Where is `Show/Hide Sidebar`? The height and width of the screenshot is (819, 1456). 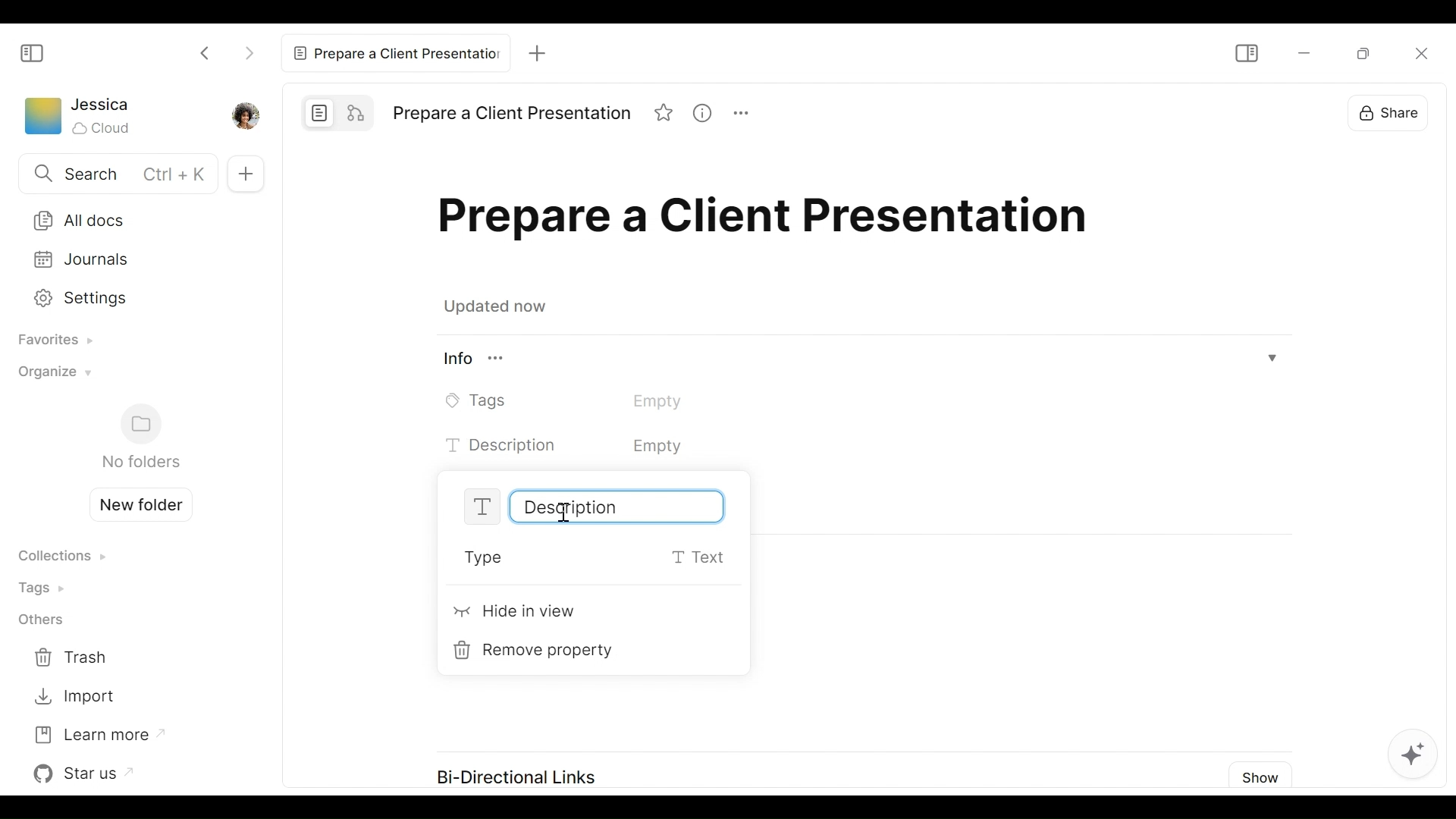
Show/Hide Sidebar is located at coordinates (1245, 53).